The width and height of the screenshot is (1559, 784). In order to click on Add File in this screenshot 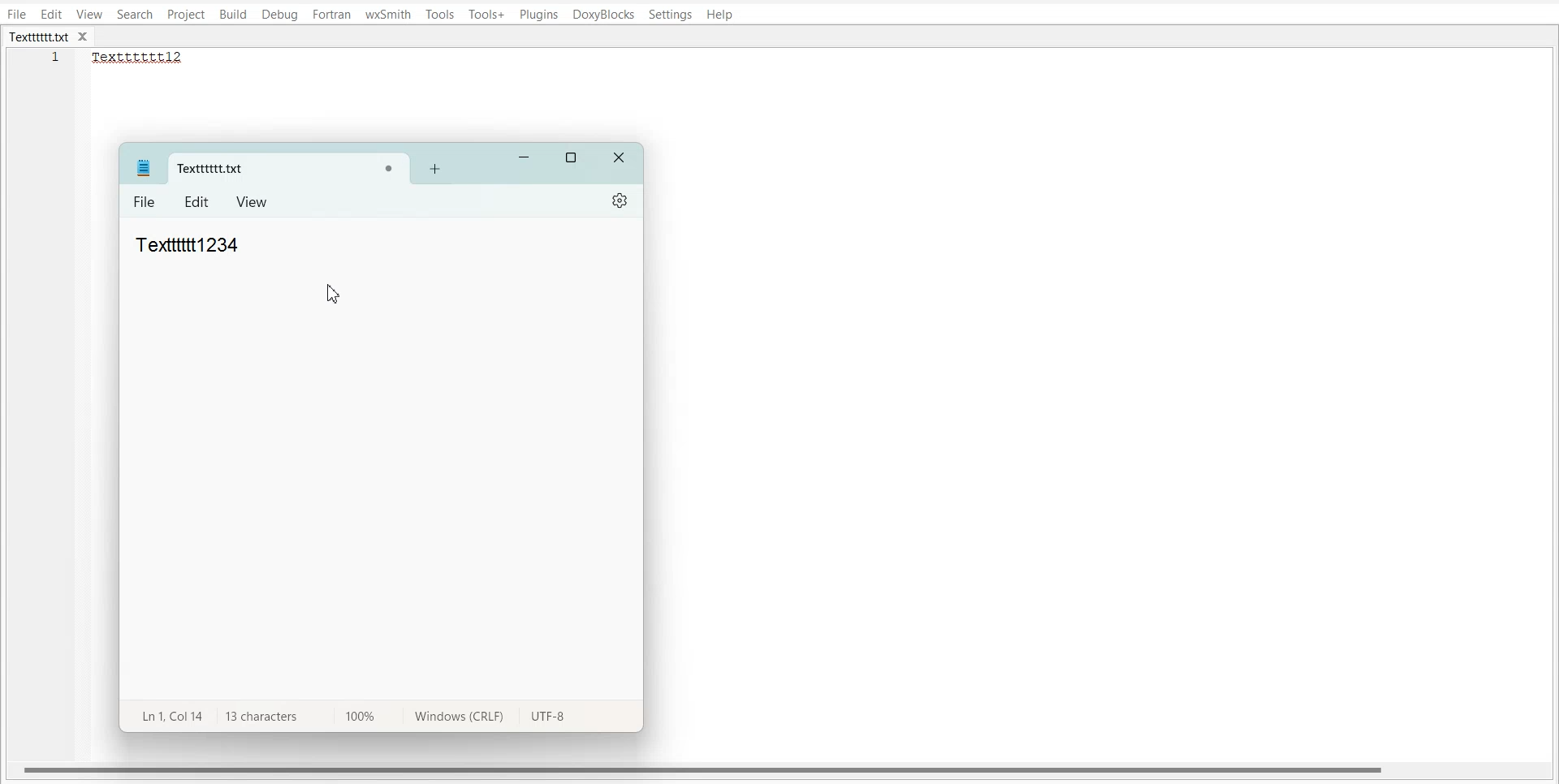, I will do `click(434, 168)`.